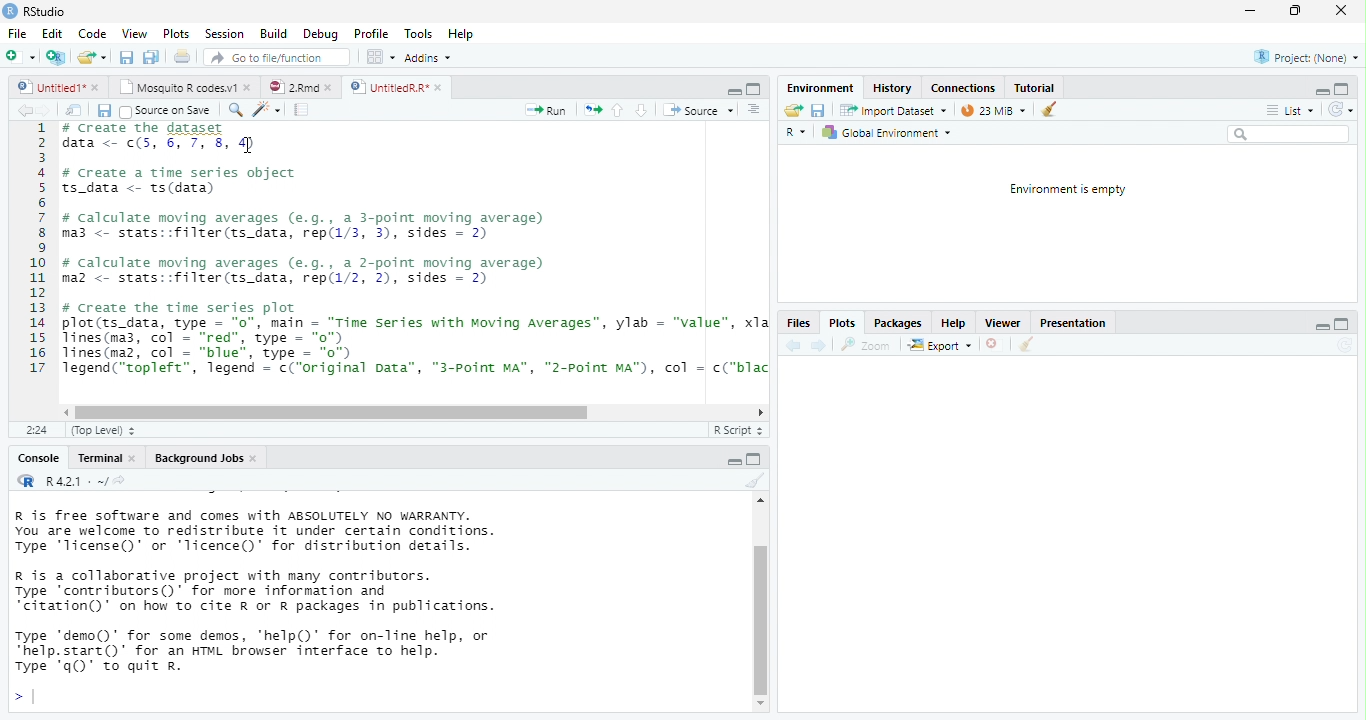 Image resolution: width=1366 pixels, height=720 pixels. I want to click on minimize, so click(734, 92).